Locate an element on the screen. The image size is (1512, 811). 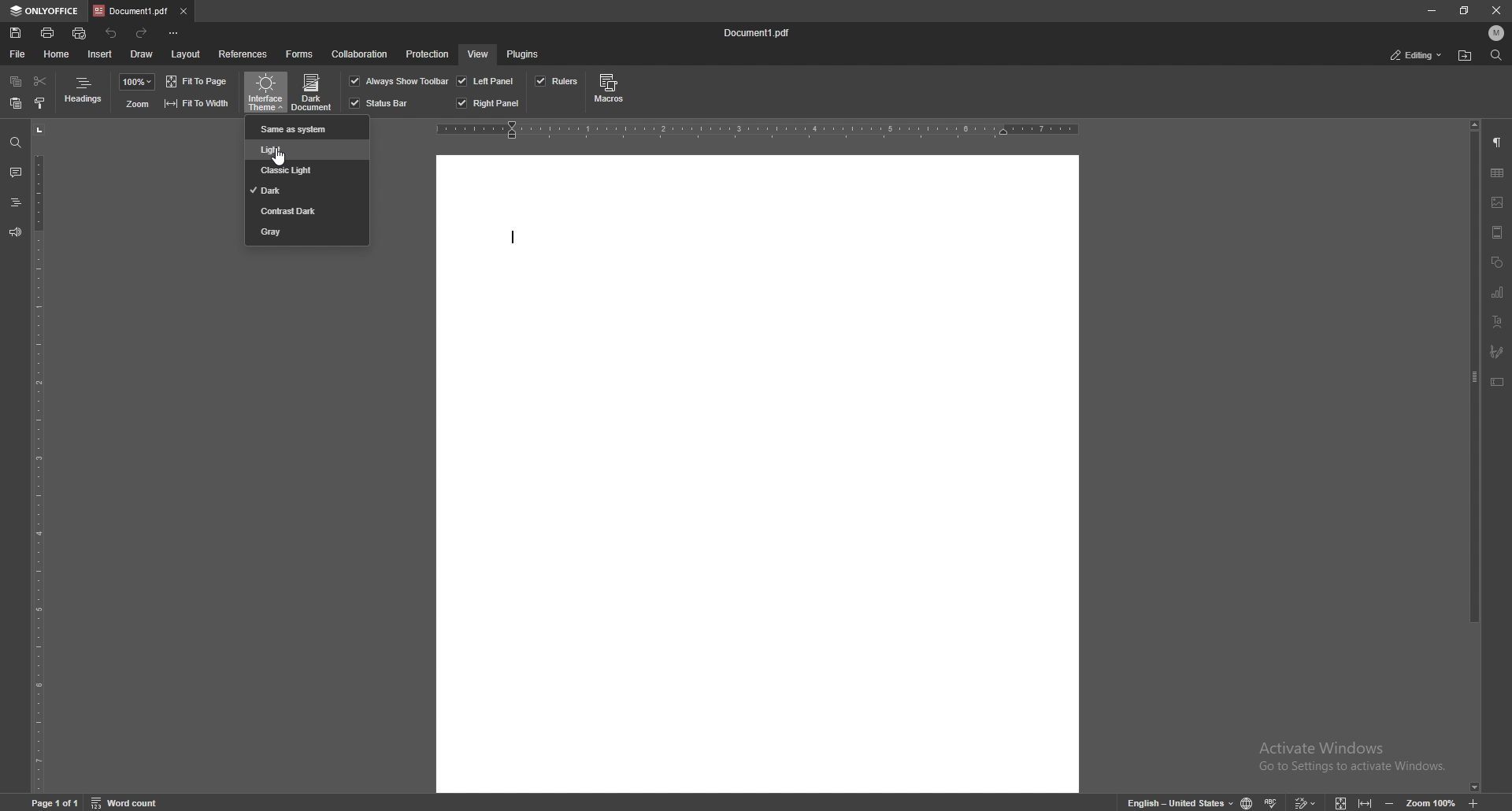
fit to width is located at coordinates (197, 104).